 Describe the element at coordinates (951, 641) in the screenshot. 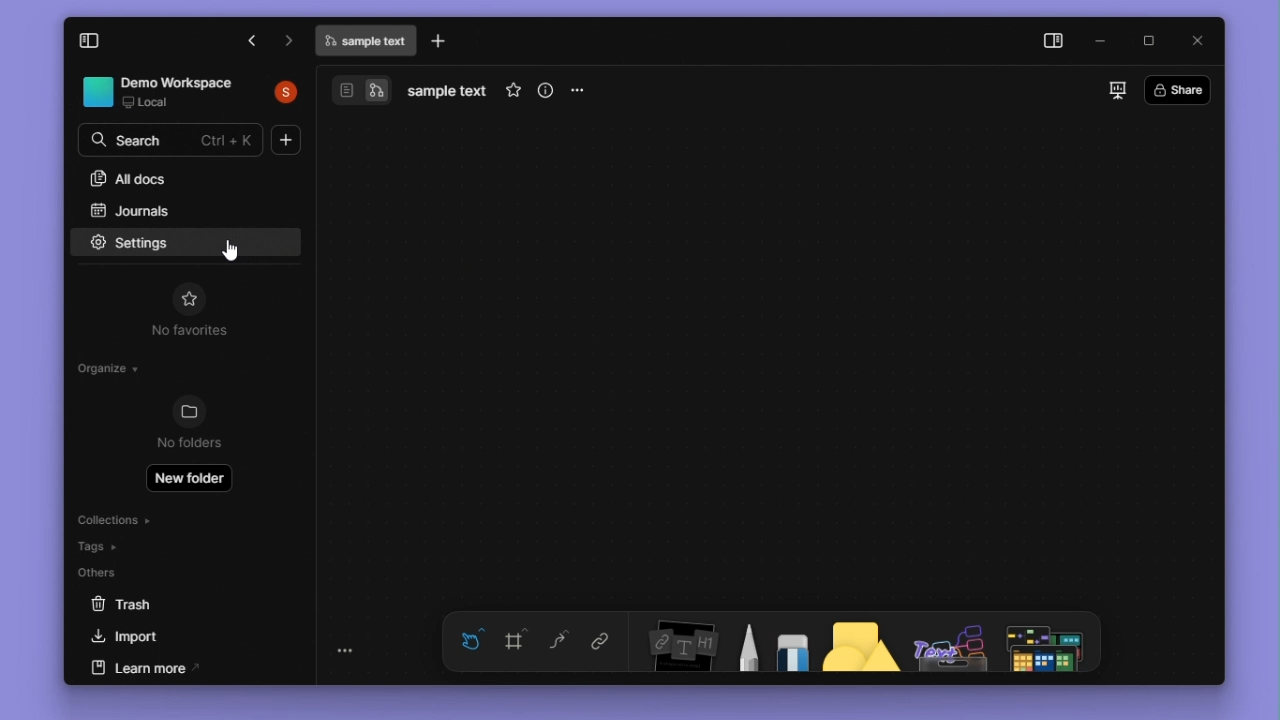

I see `others` at that location.